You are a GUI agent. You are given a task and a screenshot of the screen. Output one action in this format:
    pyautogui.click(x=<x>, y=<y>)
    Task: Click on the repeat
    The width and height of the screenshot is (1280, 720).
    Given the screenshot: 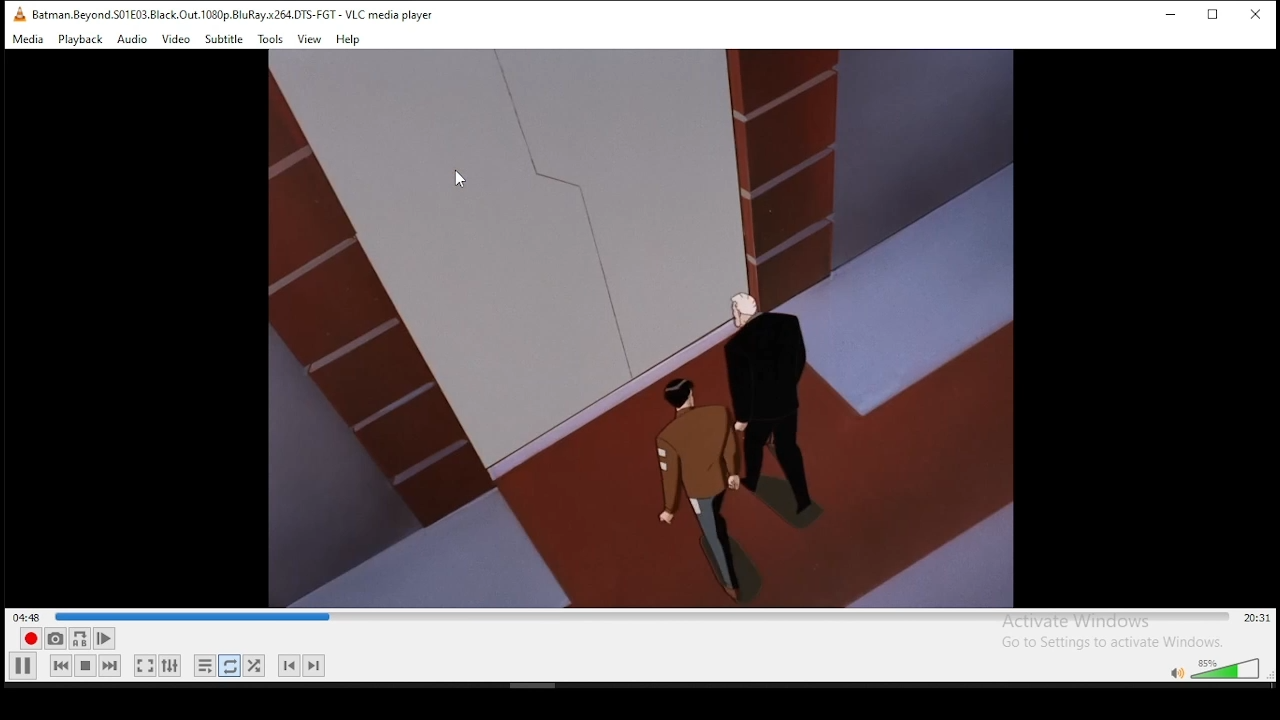 What is the action you would take?
    pyautogui.click(x=231, y=668)
    